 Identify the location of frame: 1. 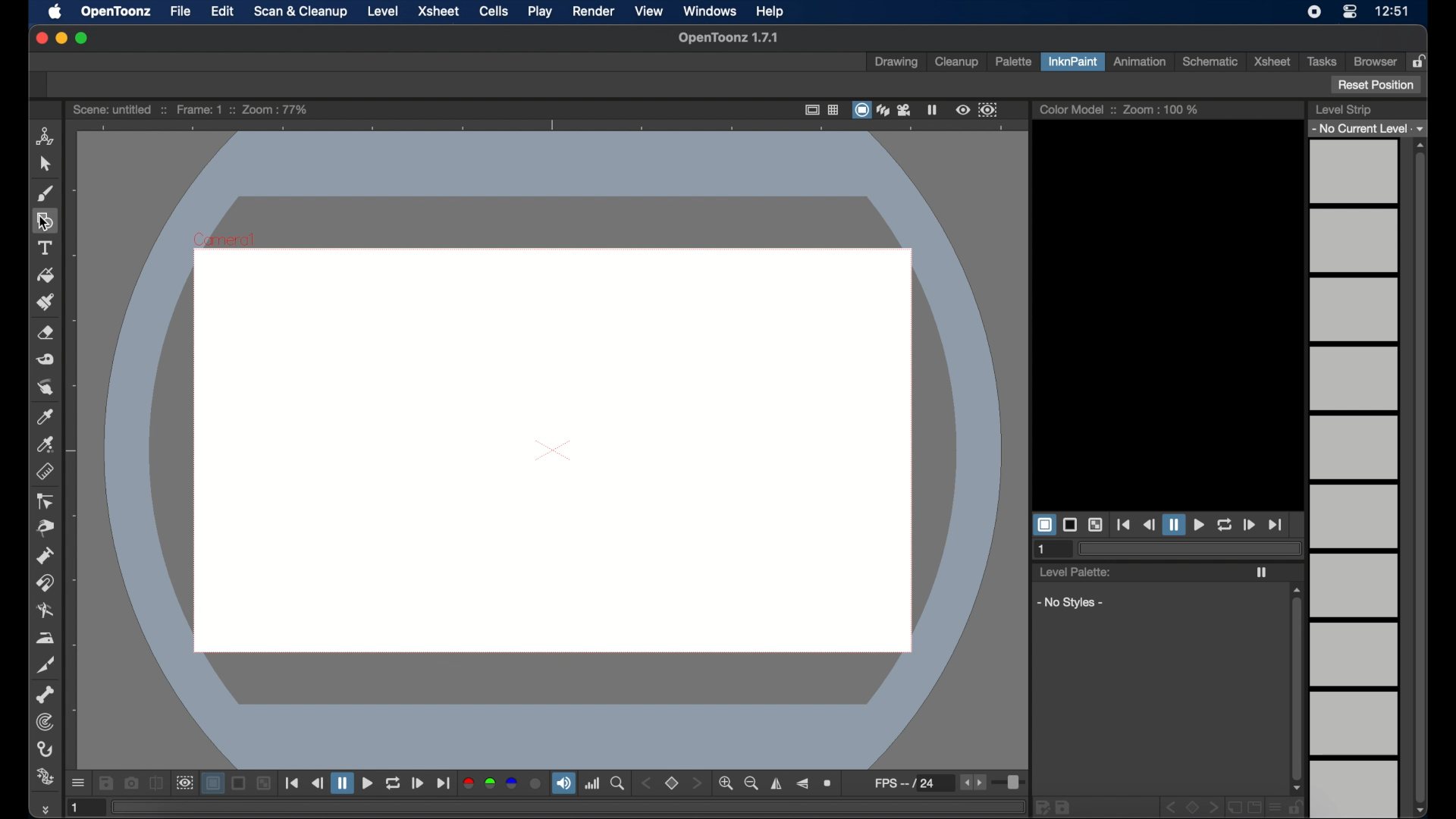
(203, 109).